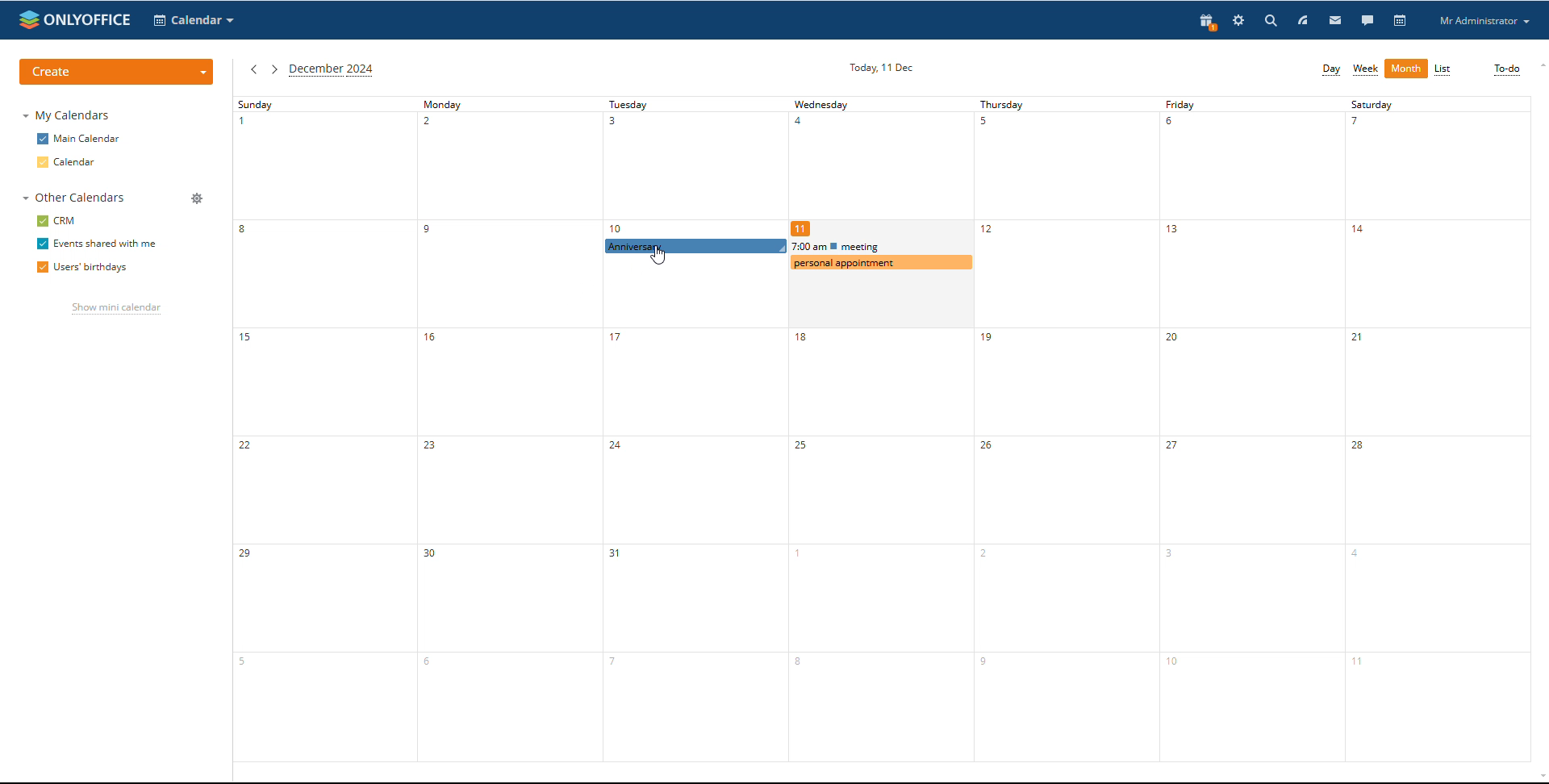 This screenshot has height=784, width=1549. Describe the element at coordinates (509, 429) in the screenshot. I see `monday` at that location.